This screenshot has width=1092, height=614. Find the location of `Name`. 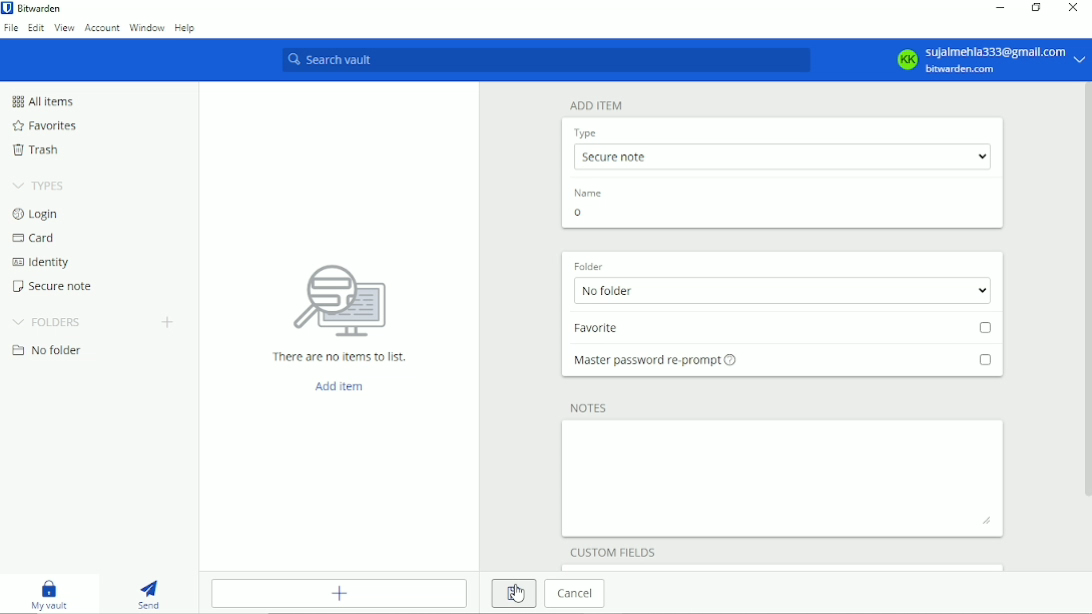

Name is located at coordinates (590, 193).